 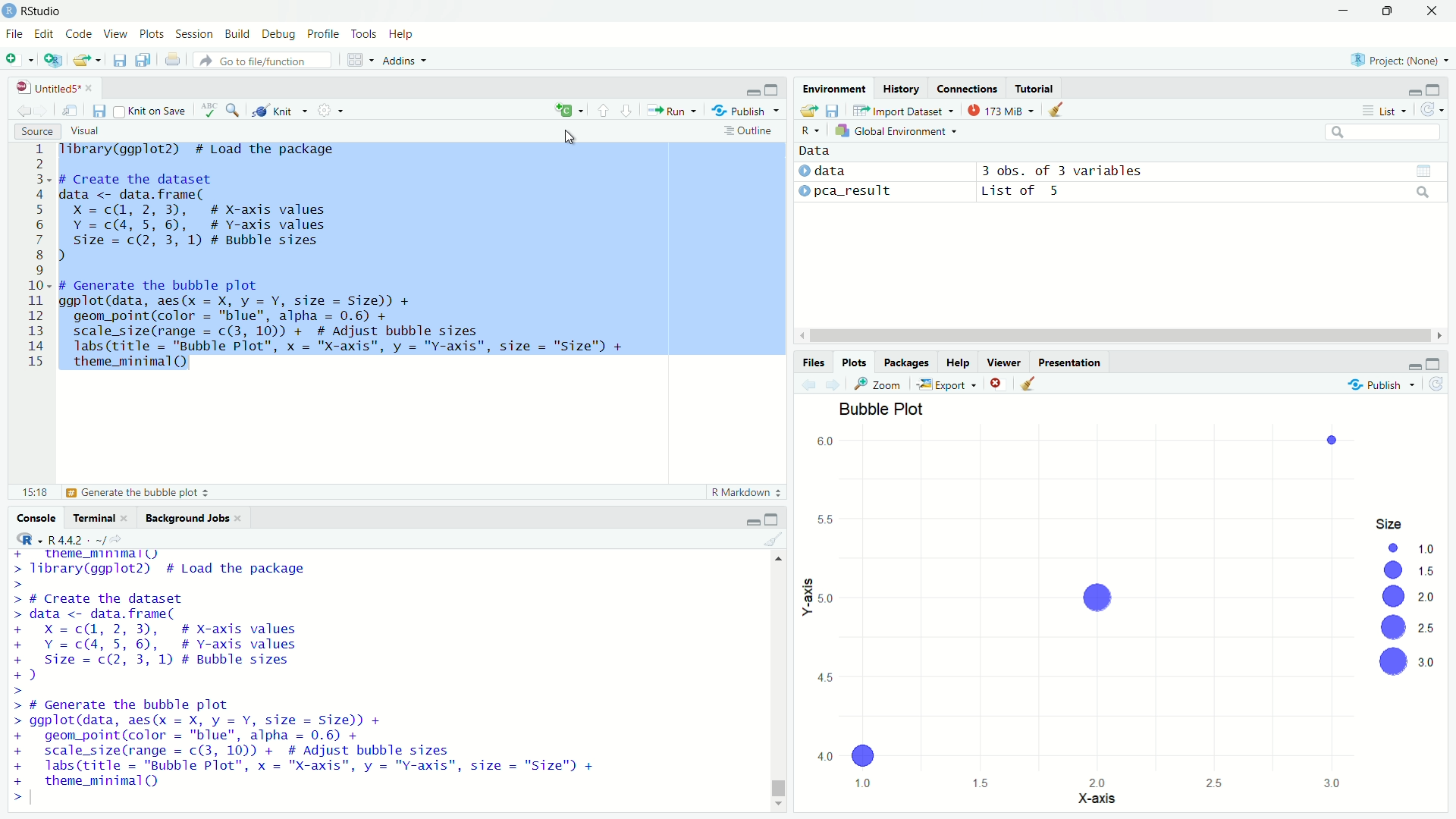 What do you see at coordinates (1415, 362) in the screenshot?
I see `minimize` at bounding box center [1415, 362].